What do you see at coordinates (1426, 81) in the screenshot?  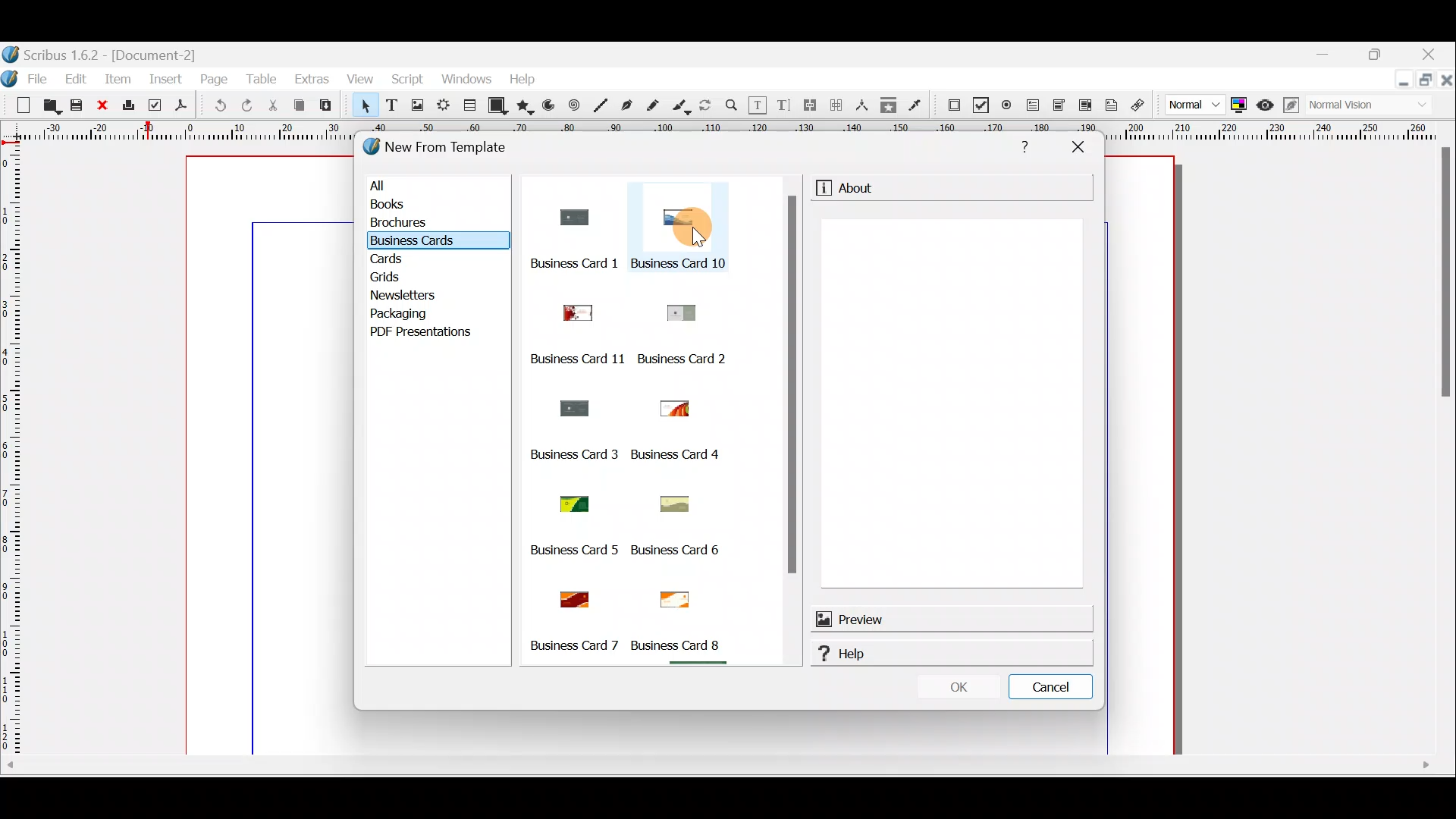 I see `Maximise` at bounding box center [1426, 81].